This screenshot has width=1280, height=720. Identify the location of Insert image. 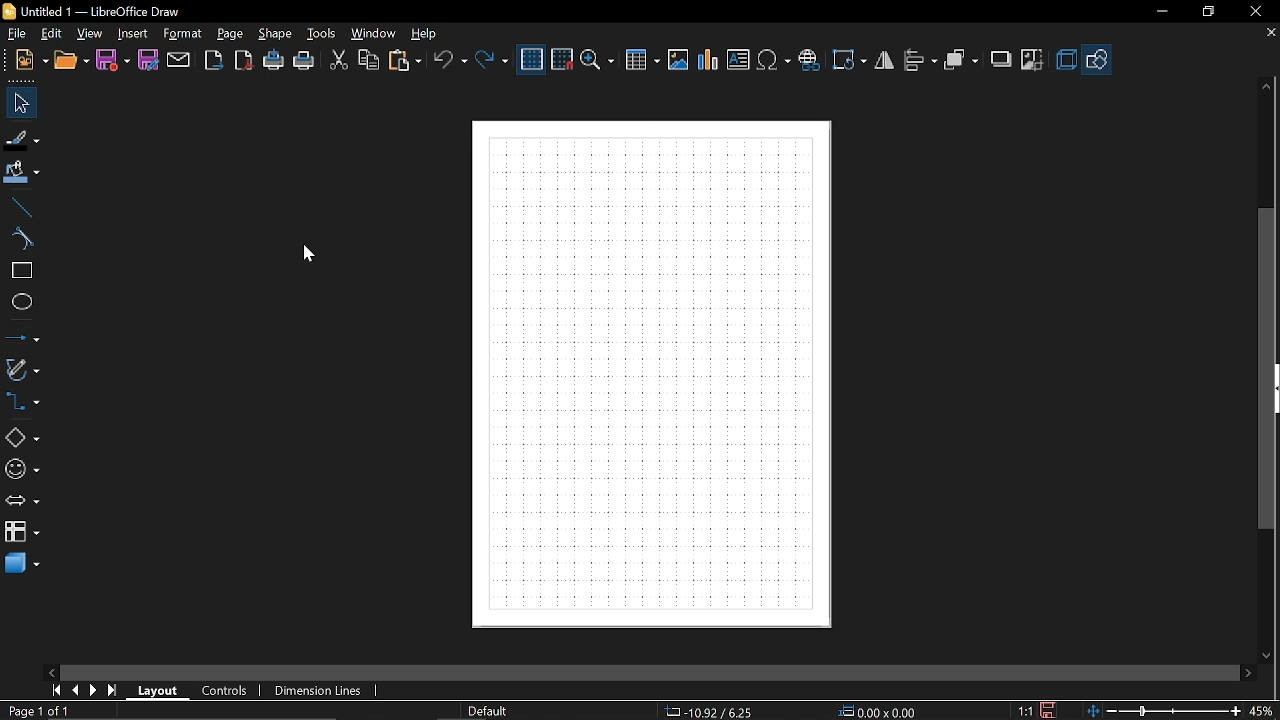
(678, 61).